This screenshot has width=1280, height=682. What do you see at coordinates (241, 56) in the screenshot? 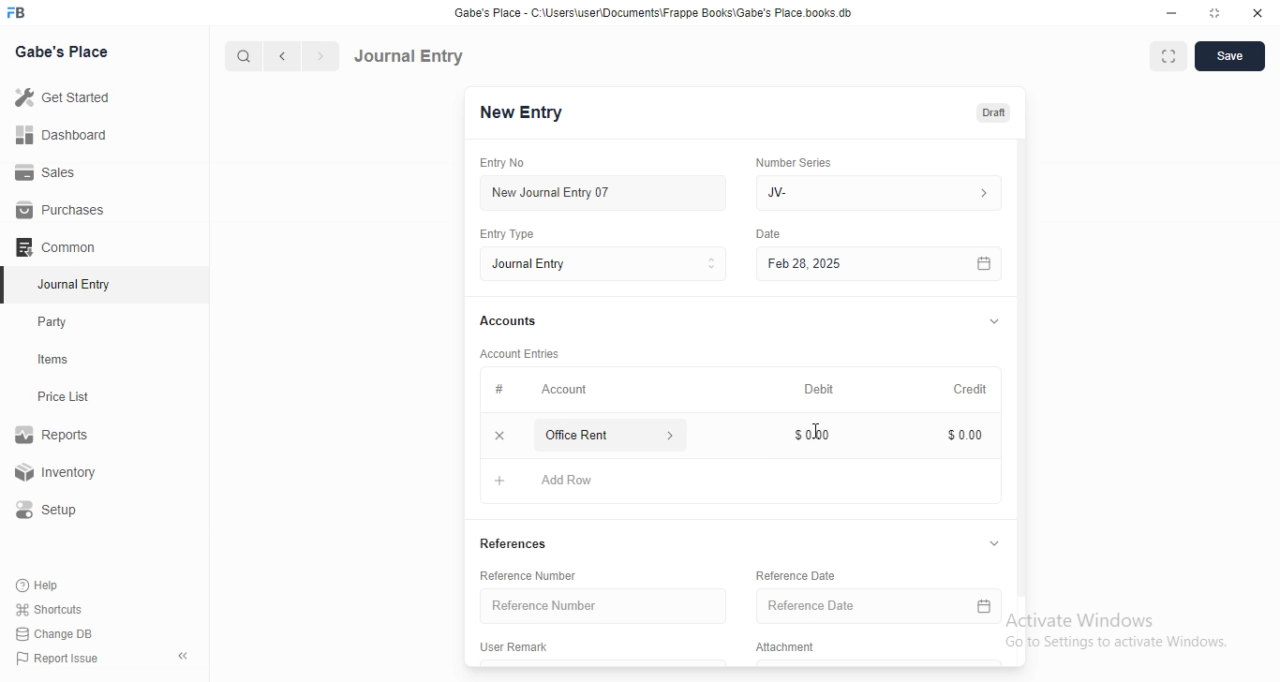
I see `search` at bounding box center [241, 56].